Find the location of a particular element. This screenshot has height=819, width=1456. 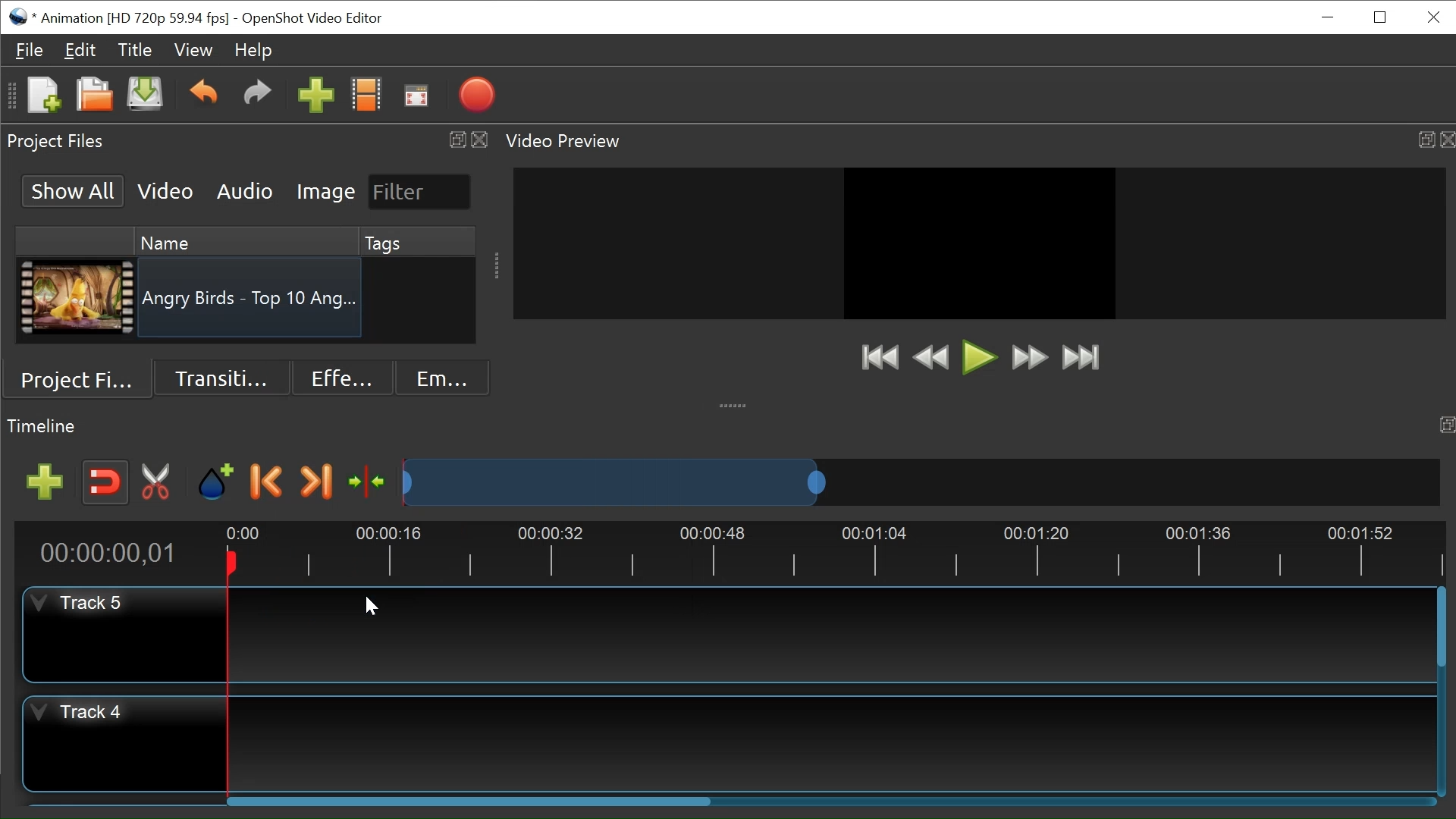

Track Panel is located at coordinates (832, 745).